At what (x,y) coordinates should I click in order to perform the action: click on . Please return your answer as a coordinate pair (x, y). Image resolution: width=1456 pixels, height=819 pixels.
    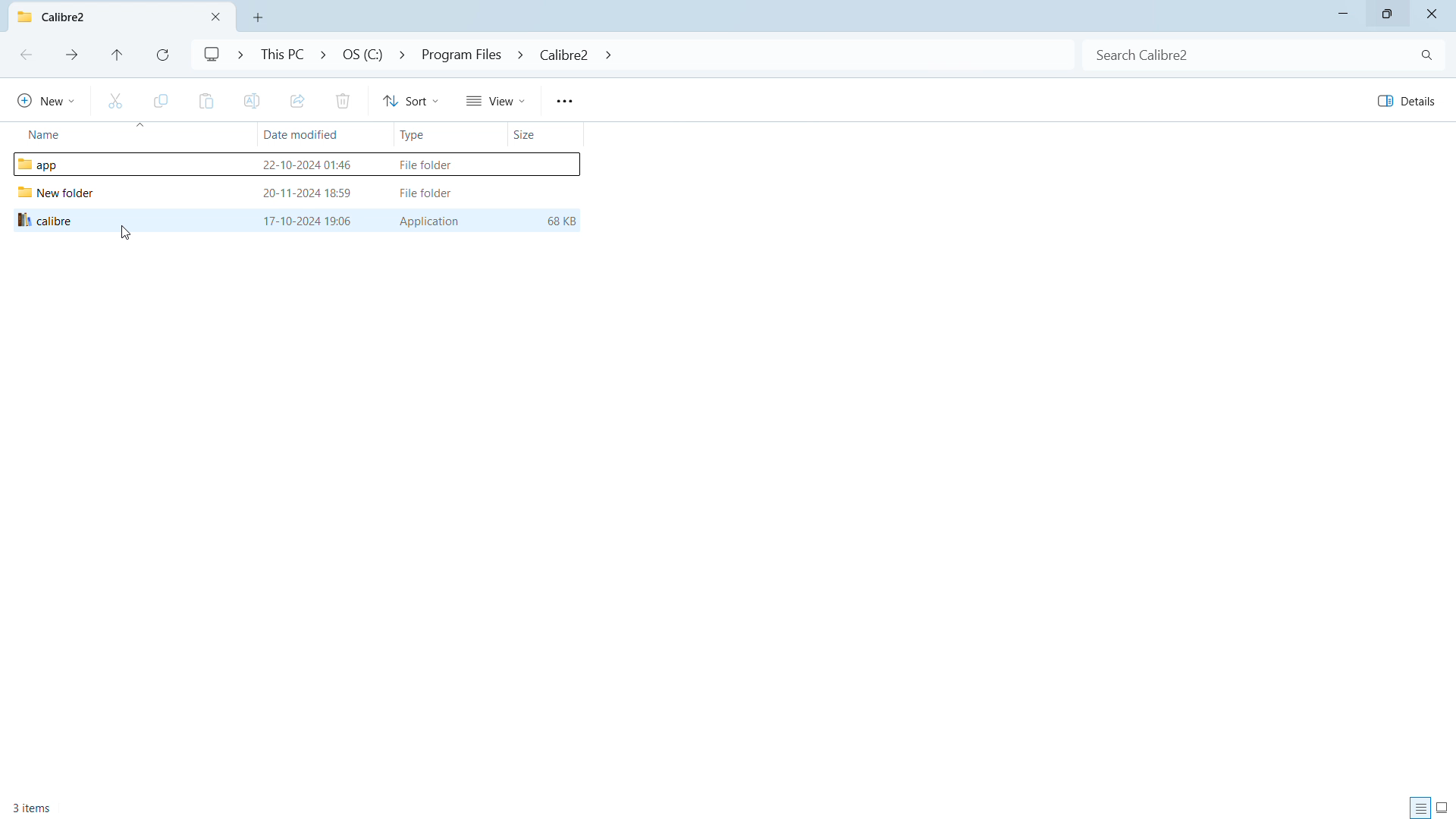
    Looking at the image, I should click on (127, 163).